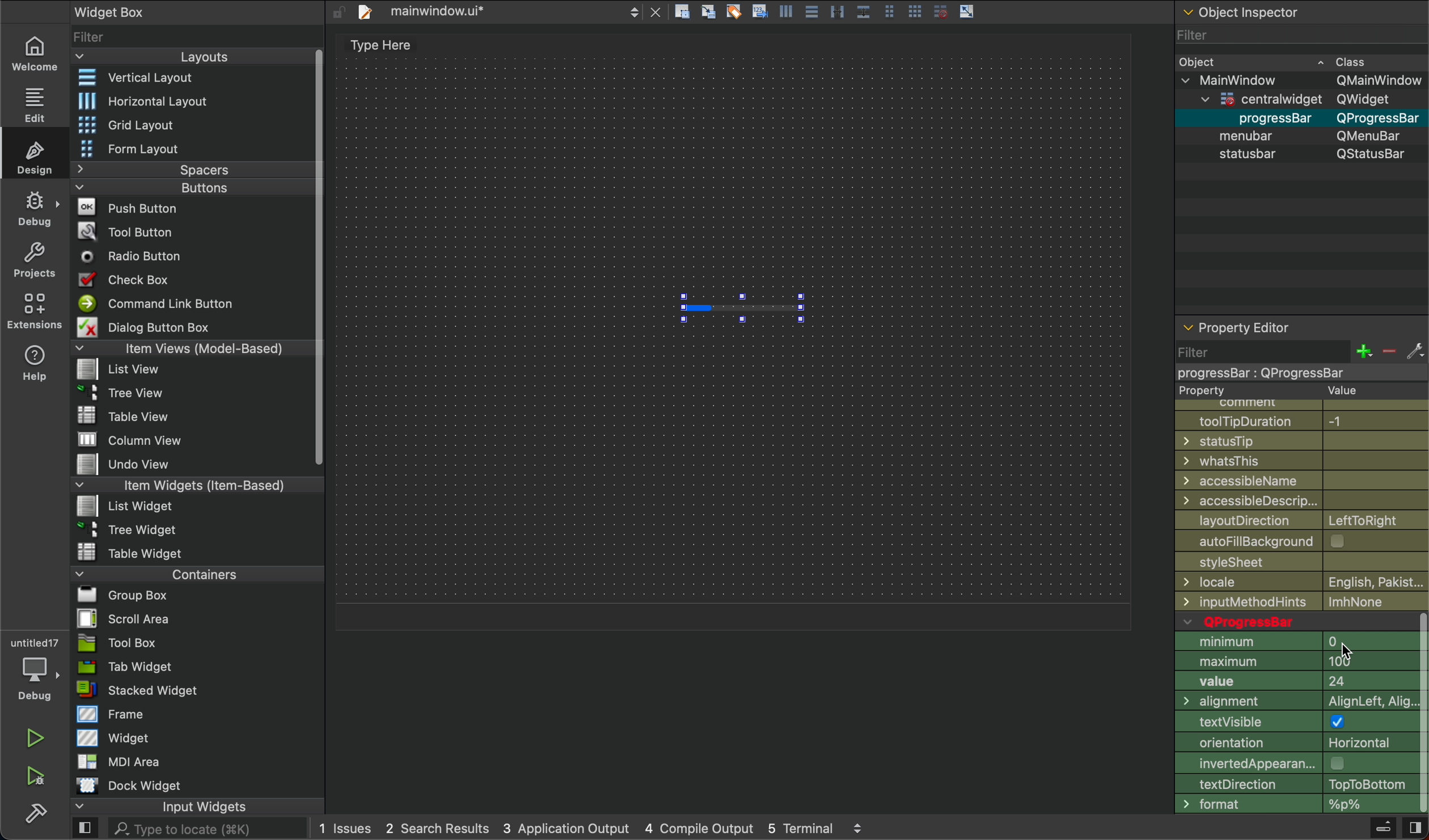  Describe the element at coordinates (1304, 602) in the screenshot. I see `Input method` at that location.